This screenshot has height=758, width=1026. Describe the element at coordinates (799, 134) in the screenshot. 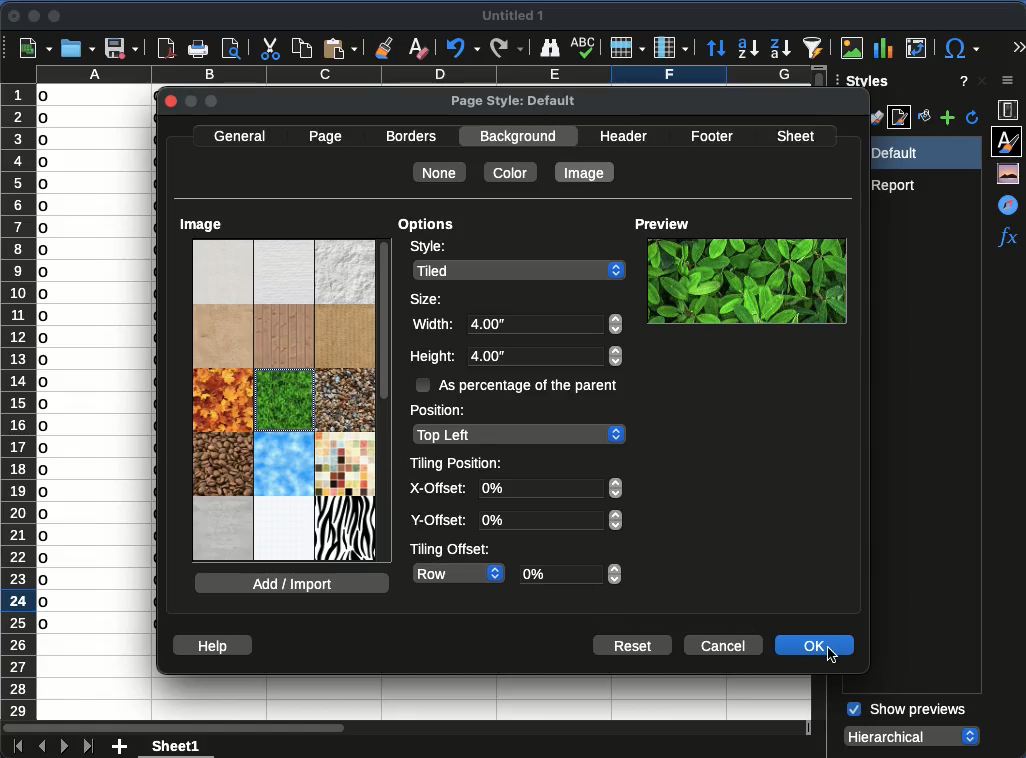

I see `sheet` at that location.